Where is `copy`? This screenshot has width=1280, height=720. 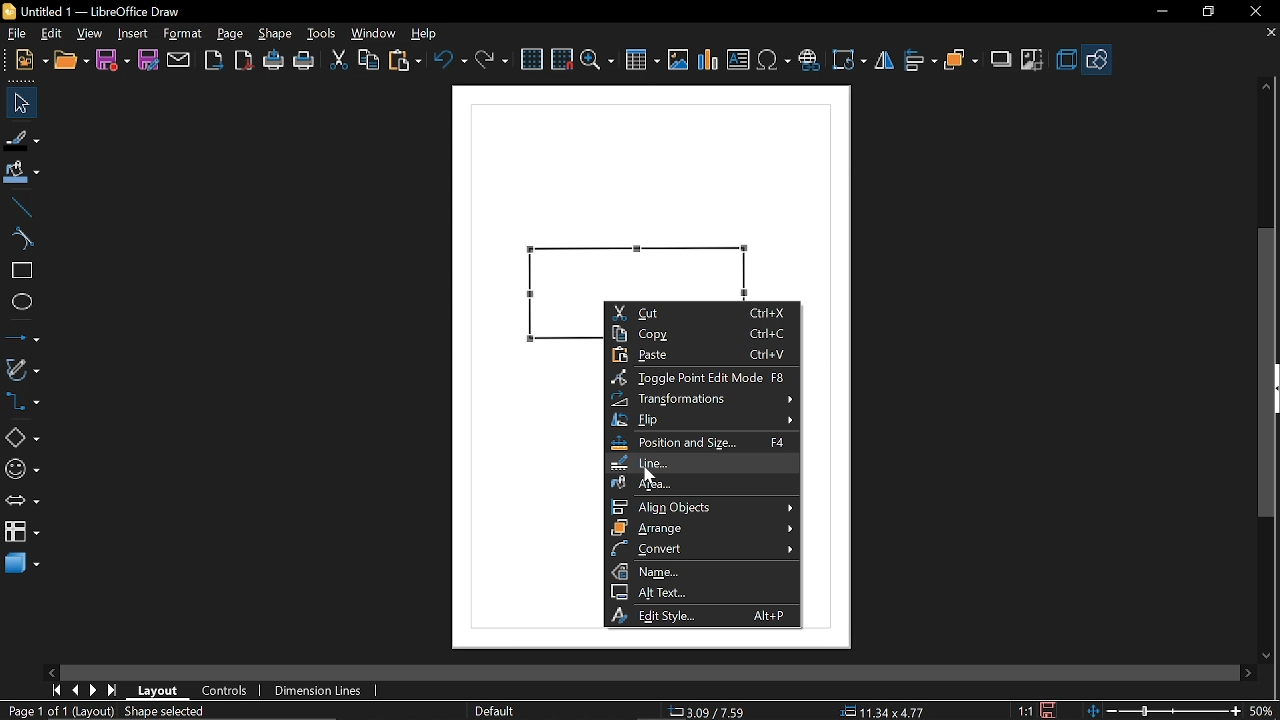 copy is located at coordinates (370, 60).